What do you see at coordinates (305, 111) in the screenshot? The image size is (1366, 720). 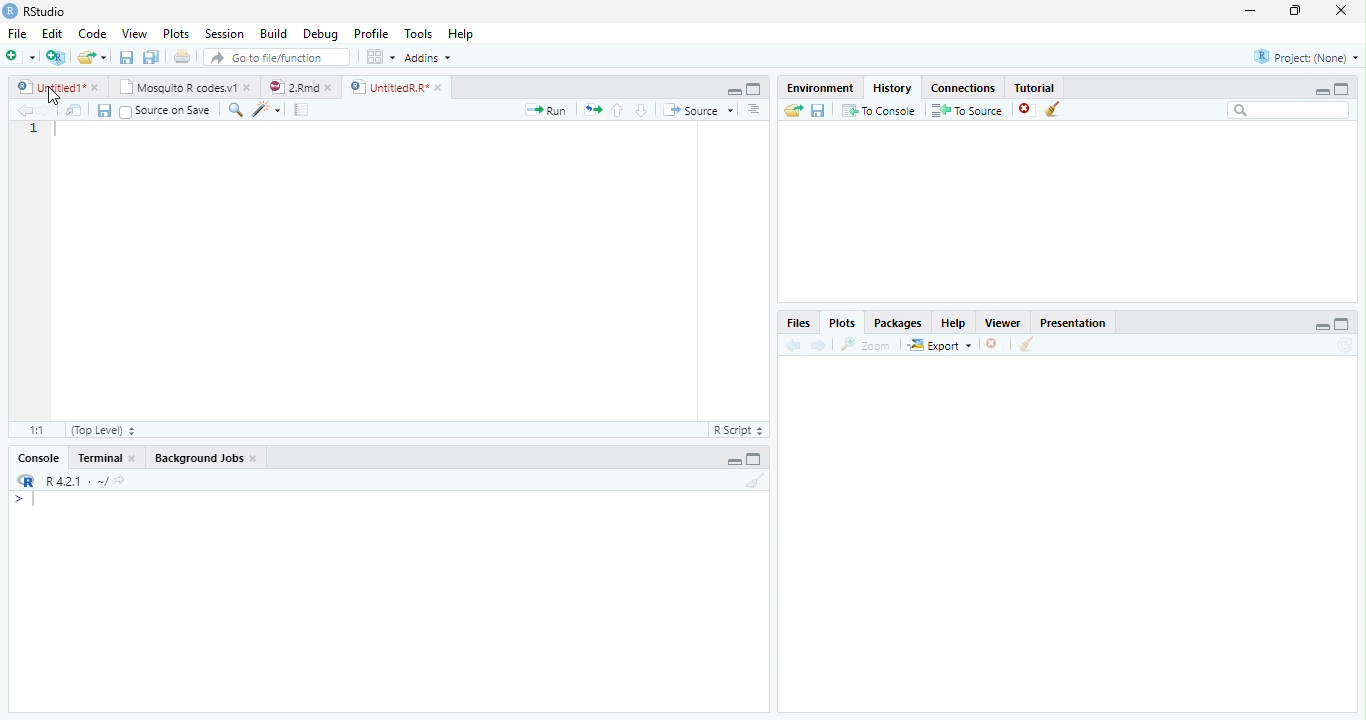 I see `Pages` at bounding box center [305, 111].